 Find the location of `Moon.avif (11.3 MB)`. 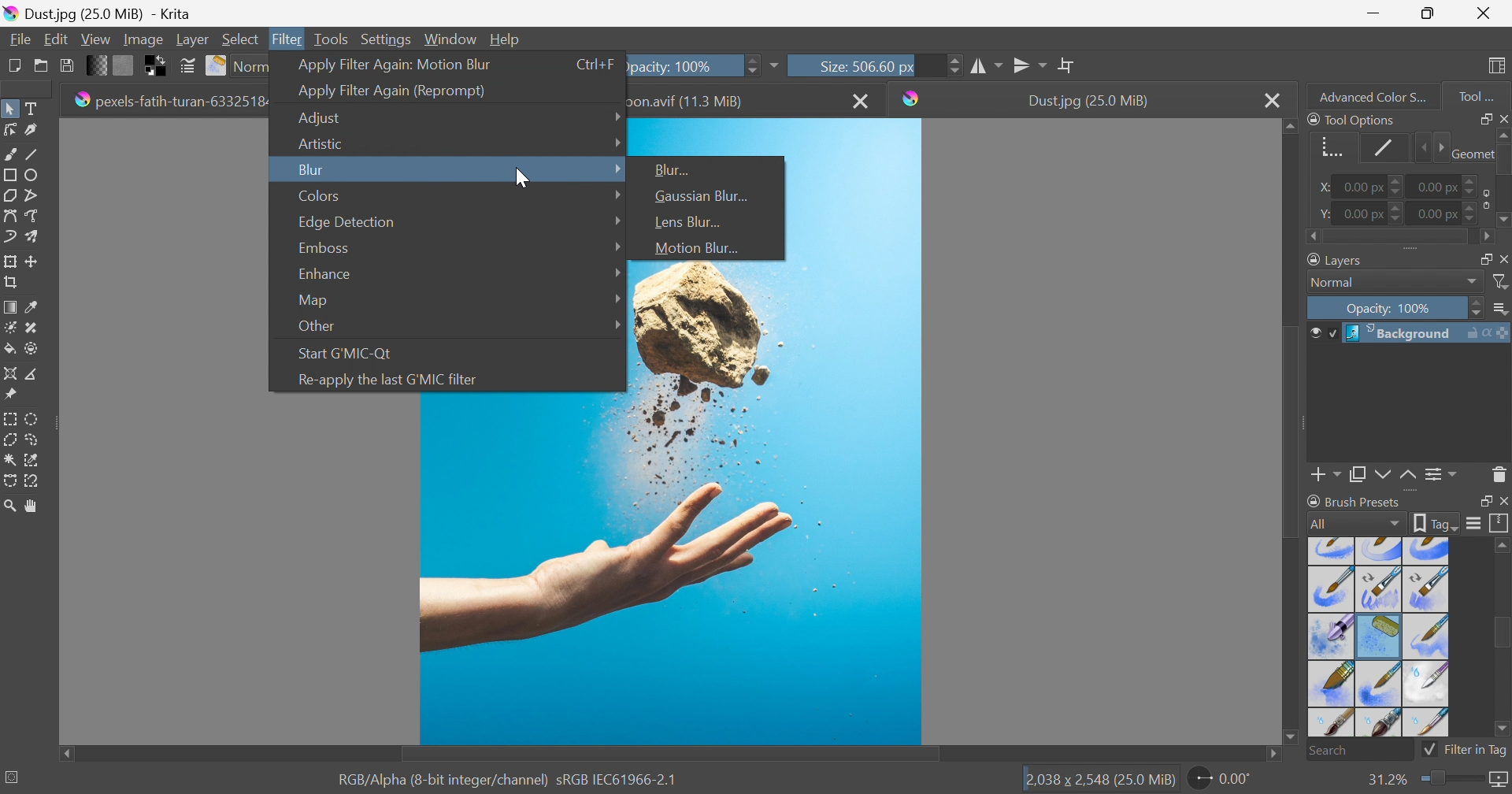

Moon.avif (11.3 MB) is located at coordinates (690, 100).